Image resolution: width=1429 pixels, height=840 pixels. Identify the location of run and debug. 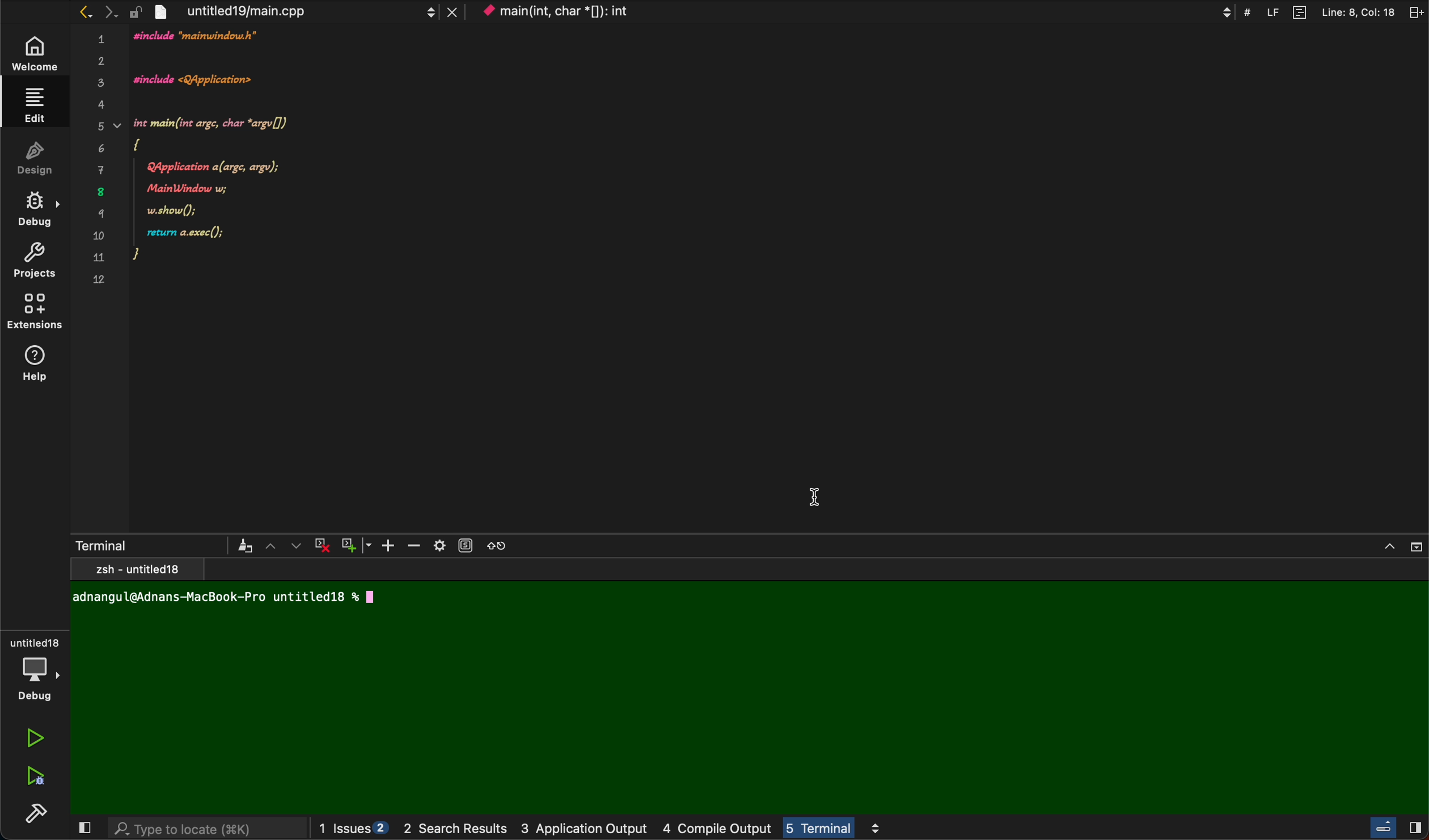
(34, 775).